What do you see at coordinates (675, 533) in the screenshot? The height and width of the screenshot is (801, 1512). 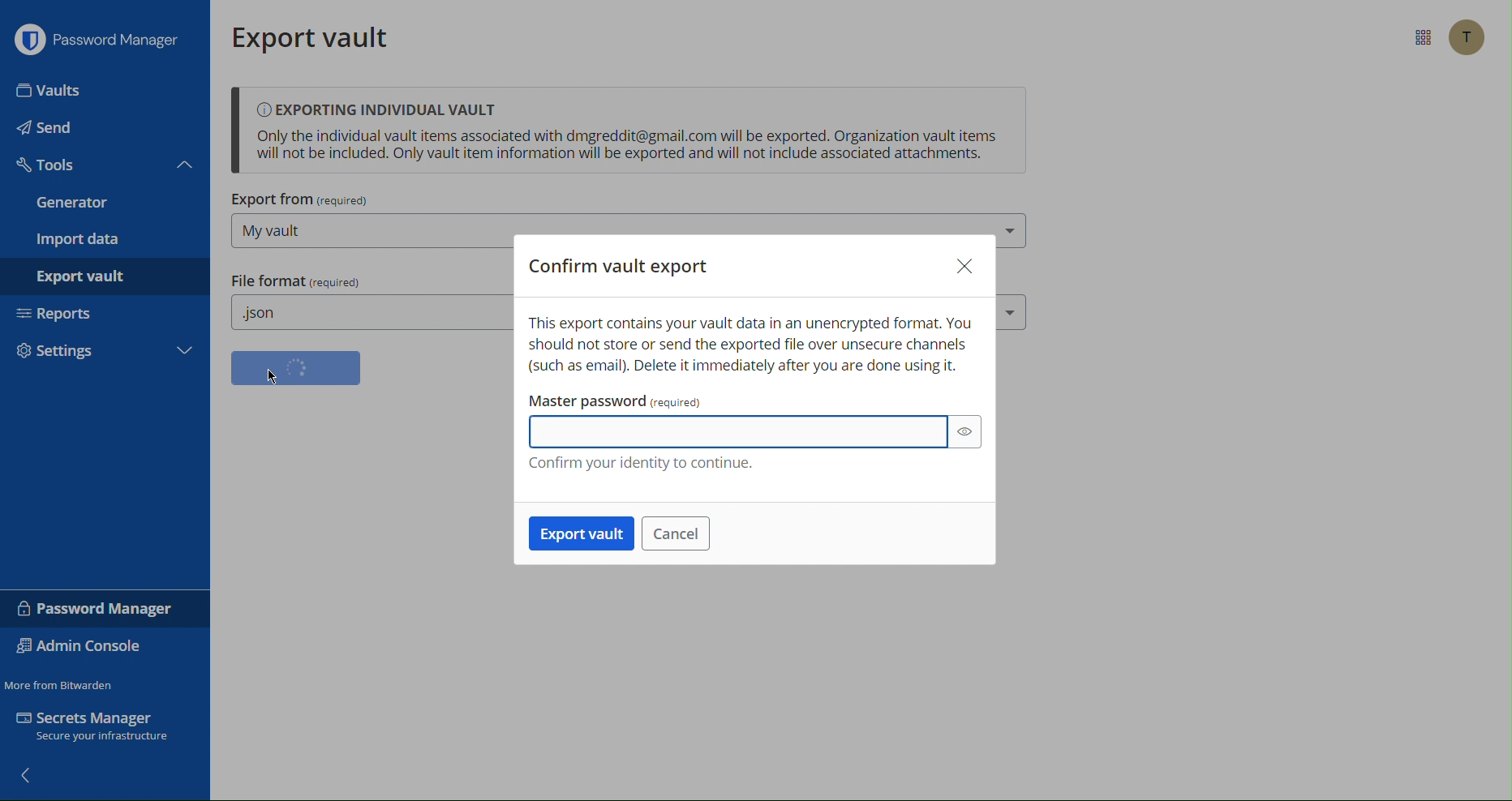 I see `Cancel` at bounding box center [675, 533].